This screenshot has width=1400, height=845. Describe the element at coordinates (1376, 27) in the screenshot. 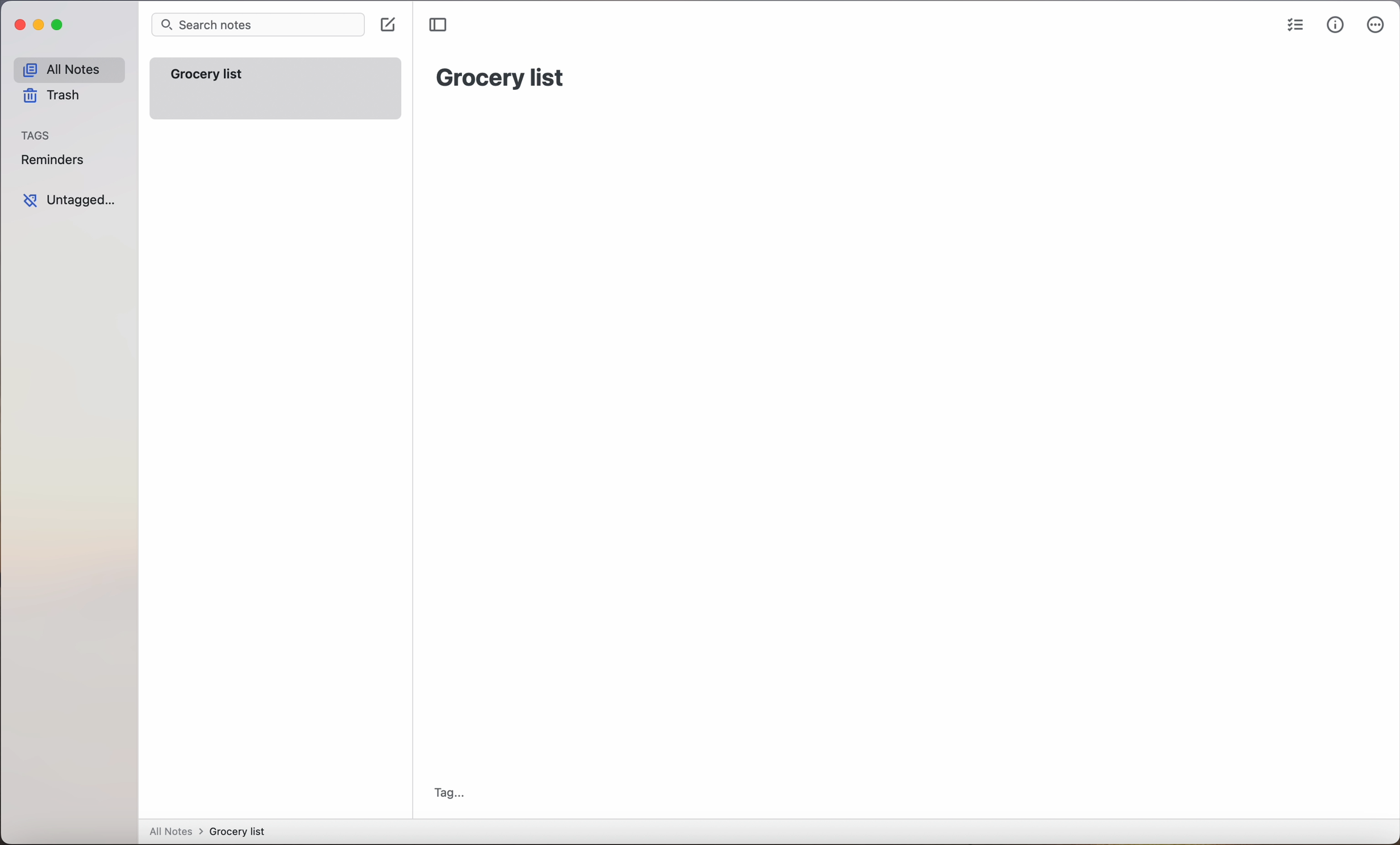

I see `more options` at that location.